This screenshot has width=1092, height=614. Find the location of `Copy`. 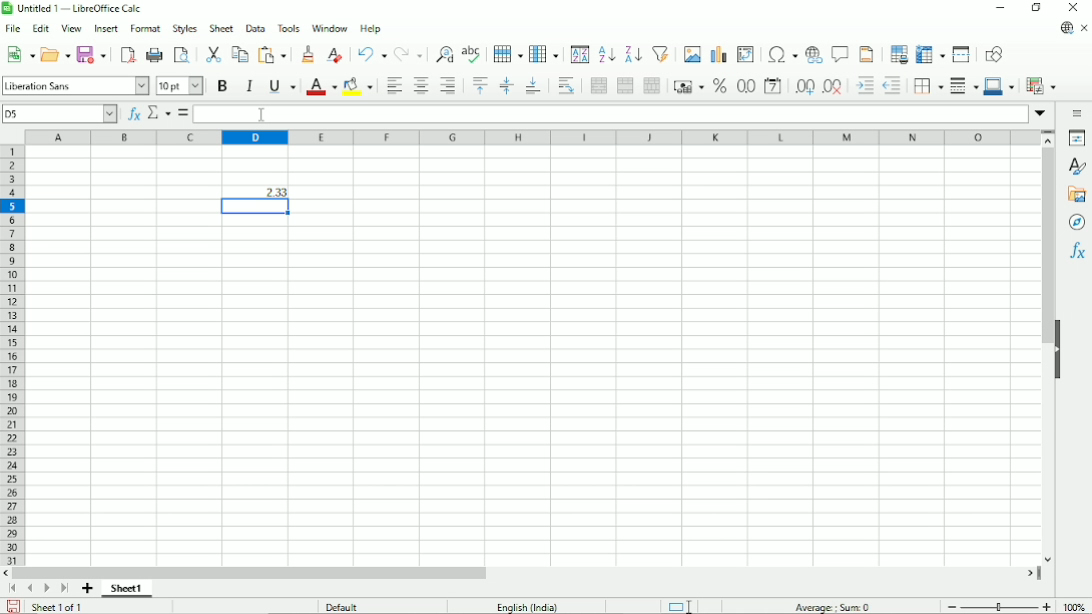

Copy is located at coordinates (239, 55).